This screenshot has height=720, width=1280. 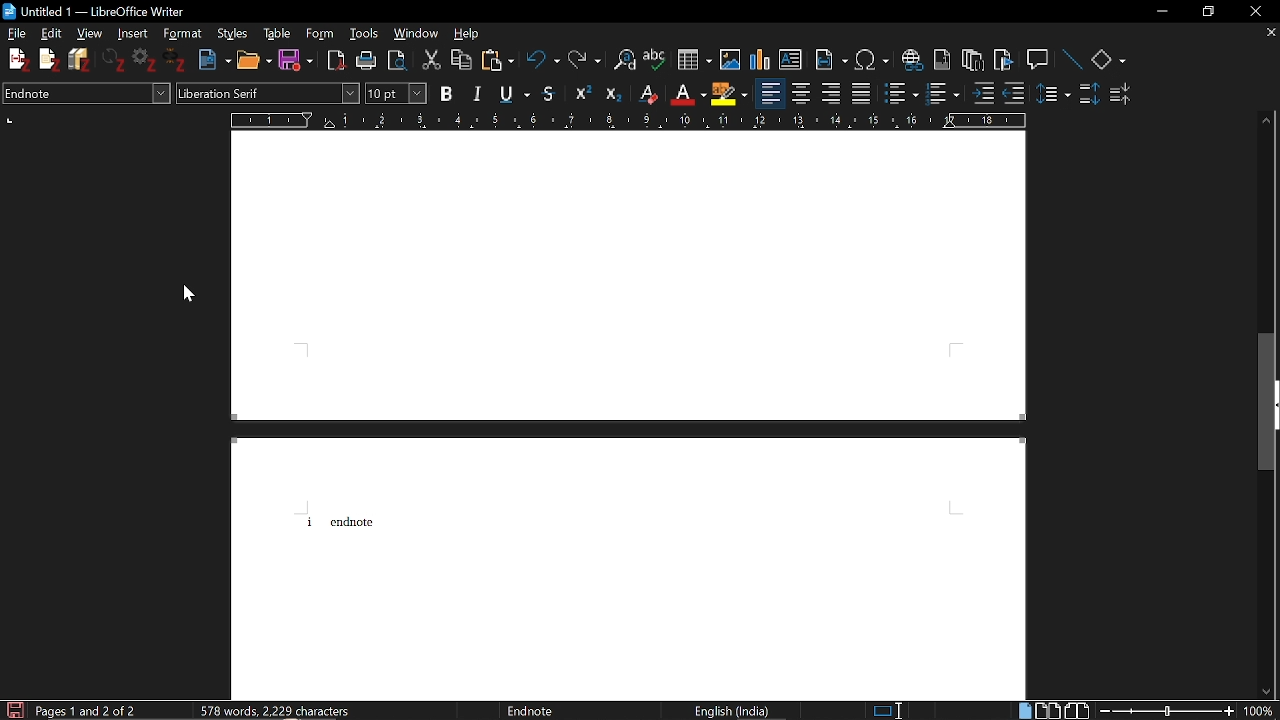 I want to click on Increase indent, so click(x=982, y=94).